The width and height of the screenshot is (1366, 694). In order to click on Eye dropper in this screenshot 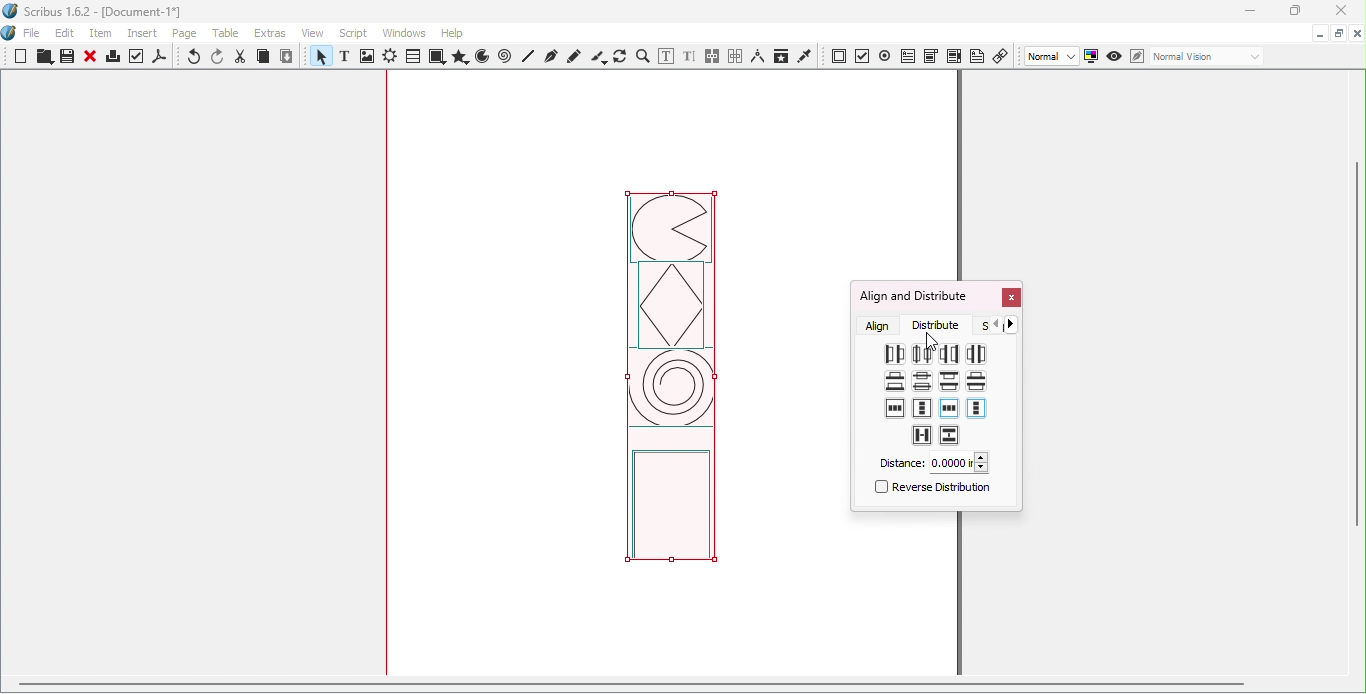, I will do `click(805, 55)`.